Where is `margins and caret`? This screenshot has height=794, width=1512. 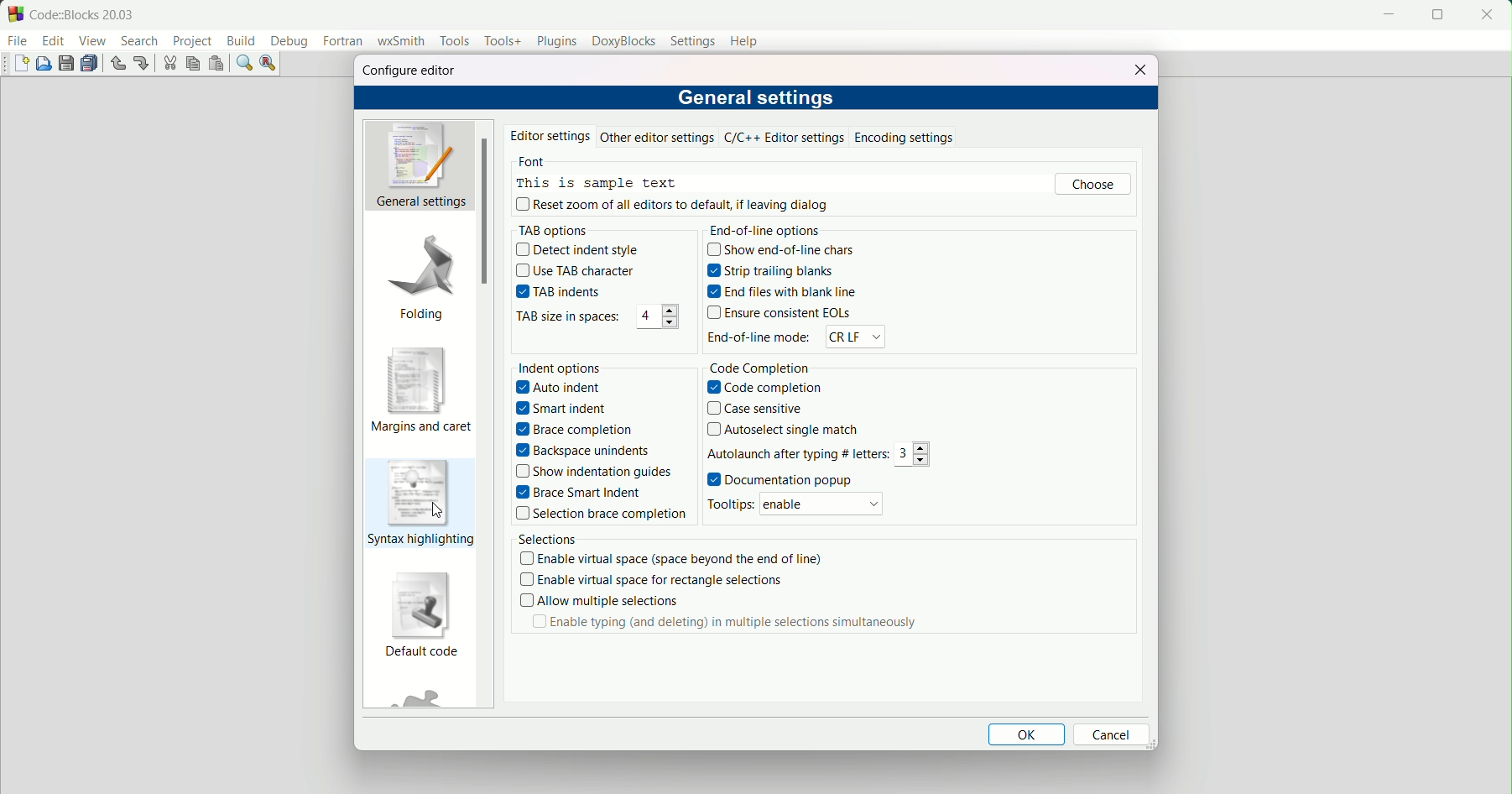 margins and caret is located at coordinates (420, 391).